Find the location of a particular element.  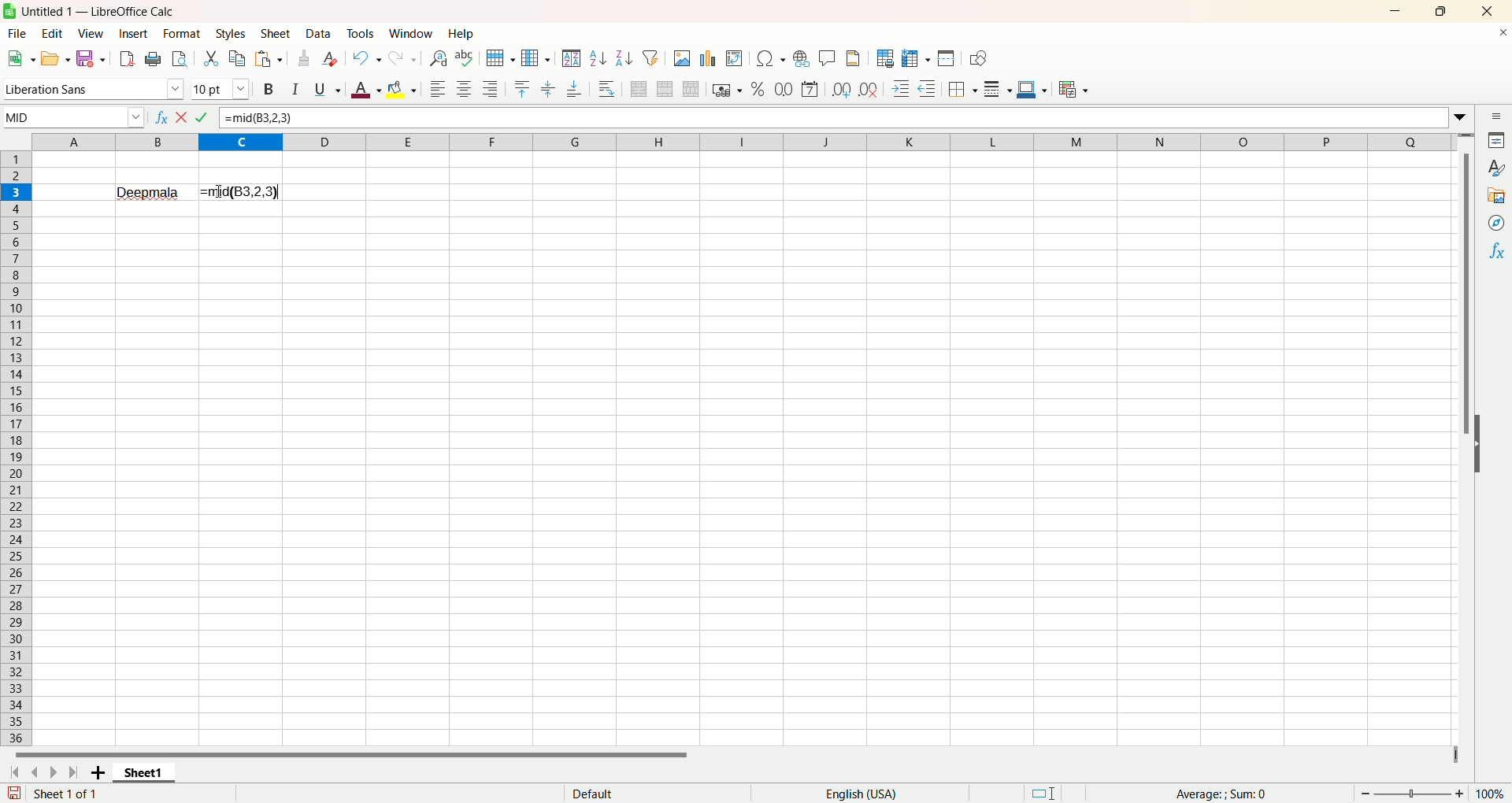

previous sheet is located at coordinates (34, 774).